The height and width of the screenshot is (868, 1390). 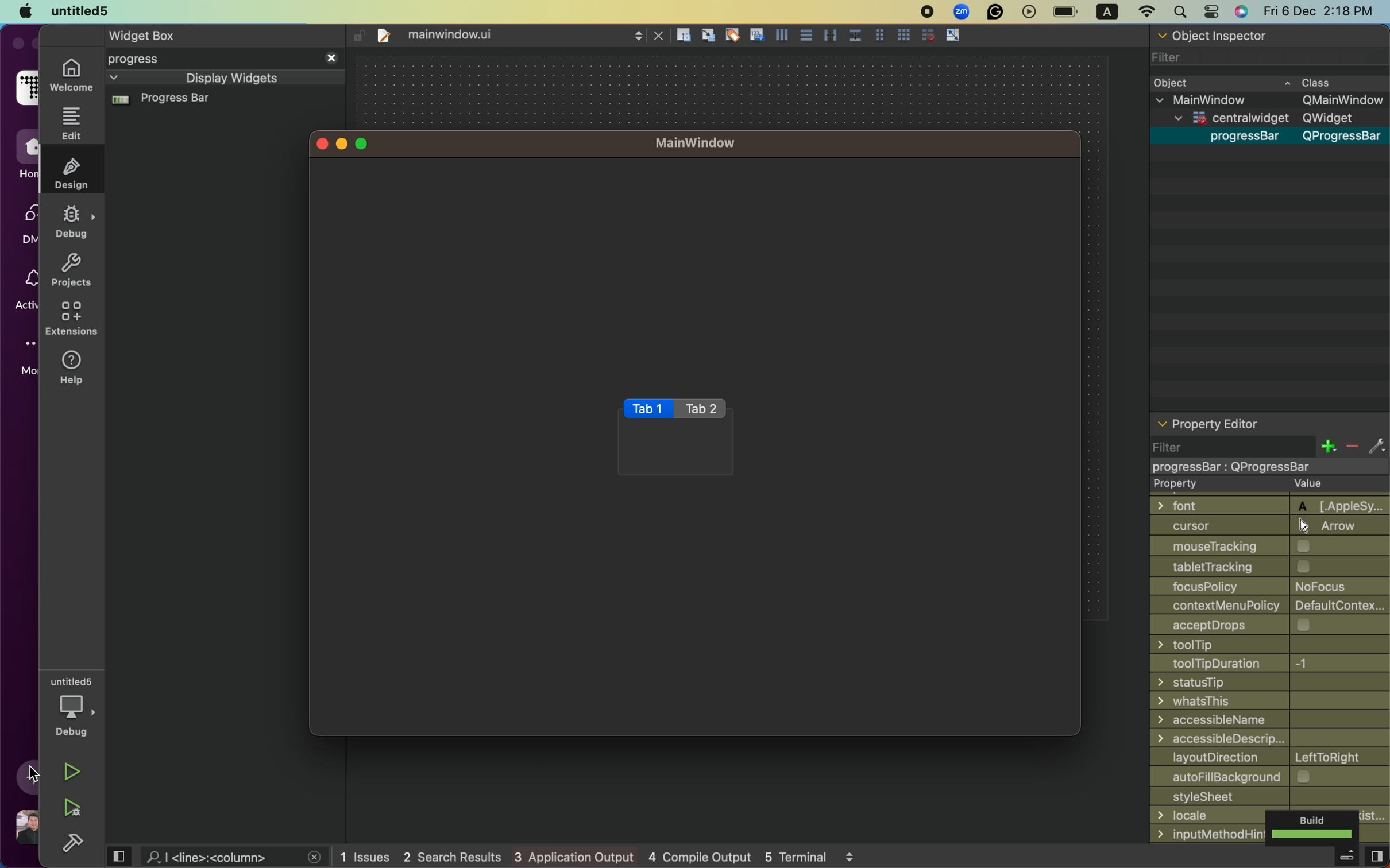 I want to click on align left, so click(x=783, y=37).